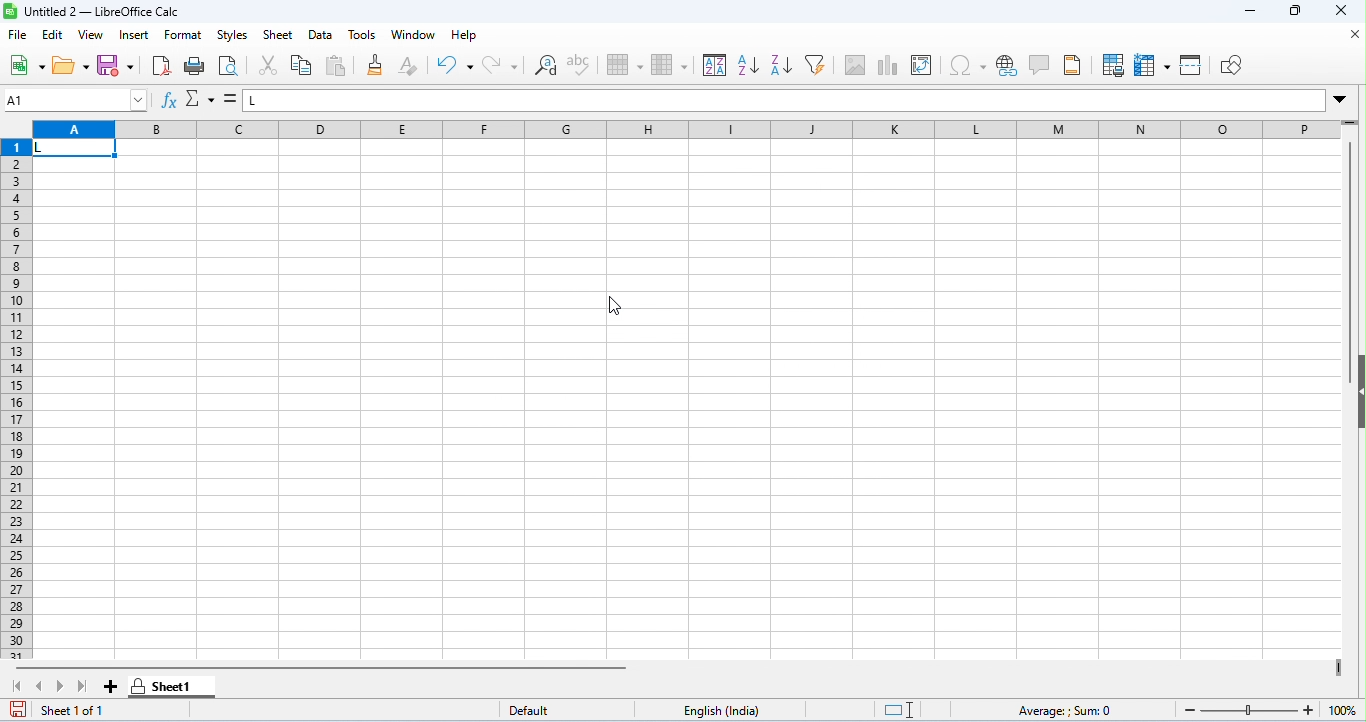 The image size is (1366, 722). I want to click on open, so click(71, 66).